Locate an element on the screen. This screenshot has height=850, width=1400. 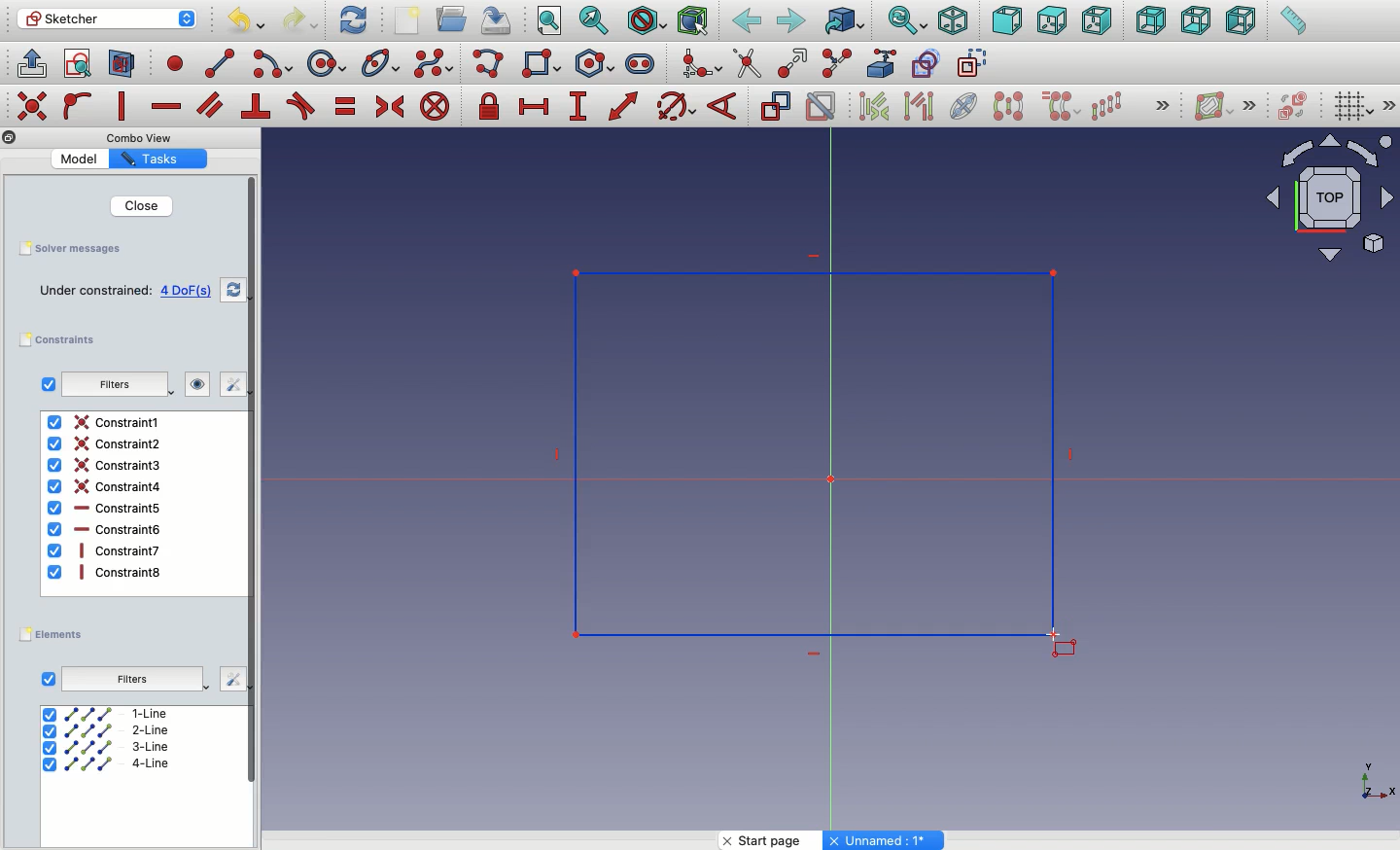
Right is located at coordinates (1100, 20).